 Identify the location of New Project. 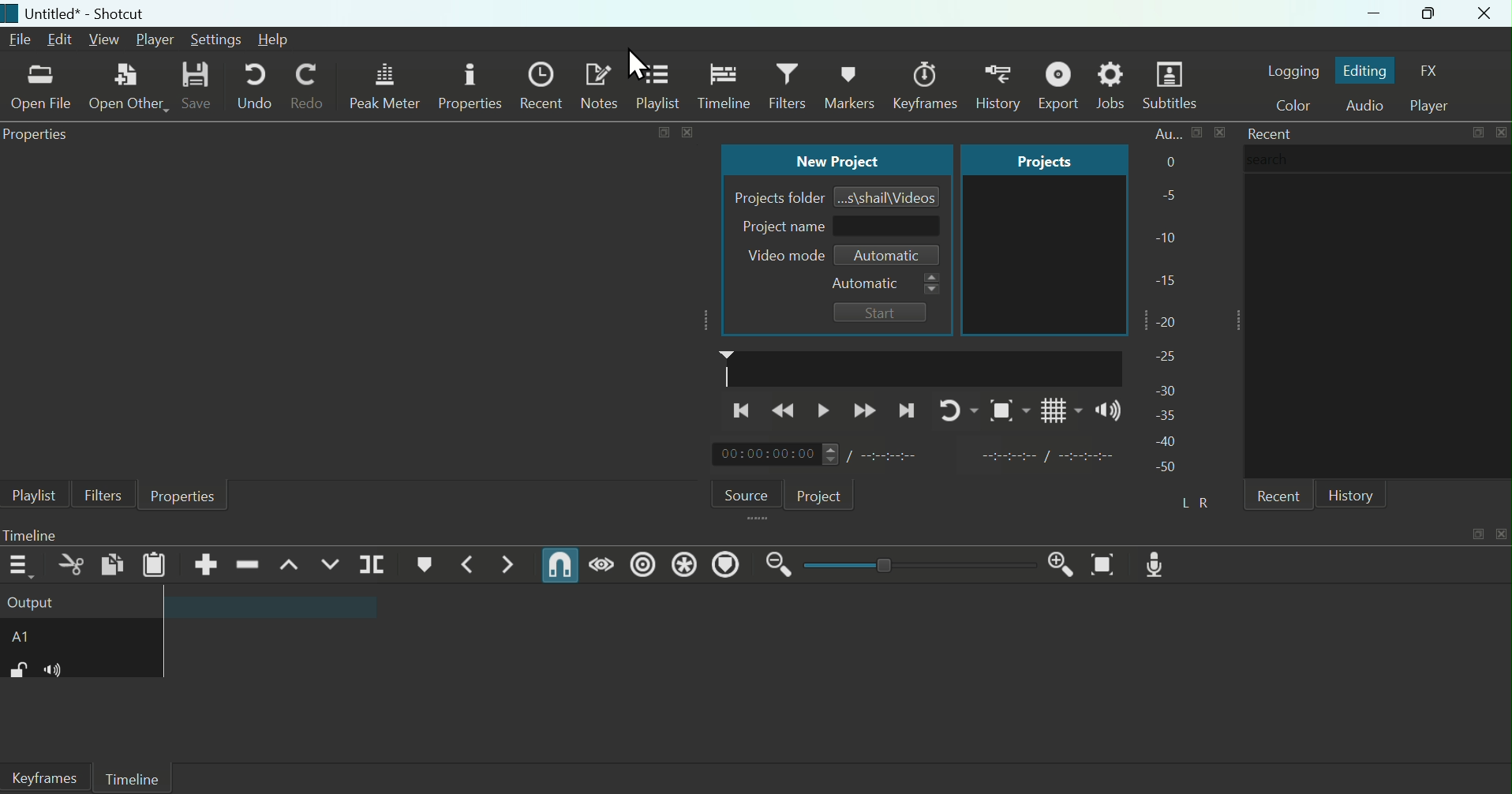
(833, 161).